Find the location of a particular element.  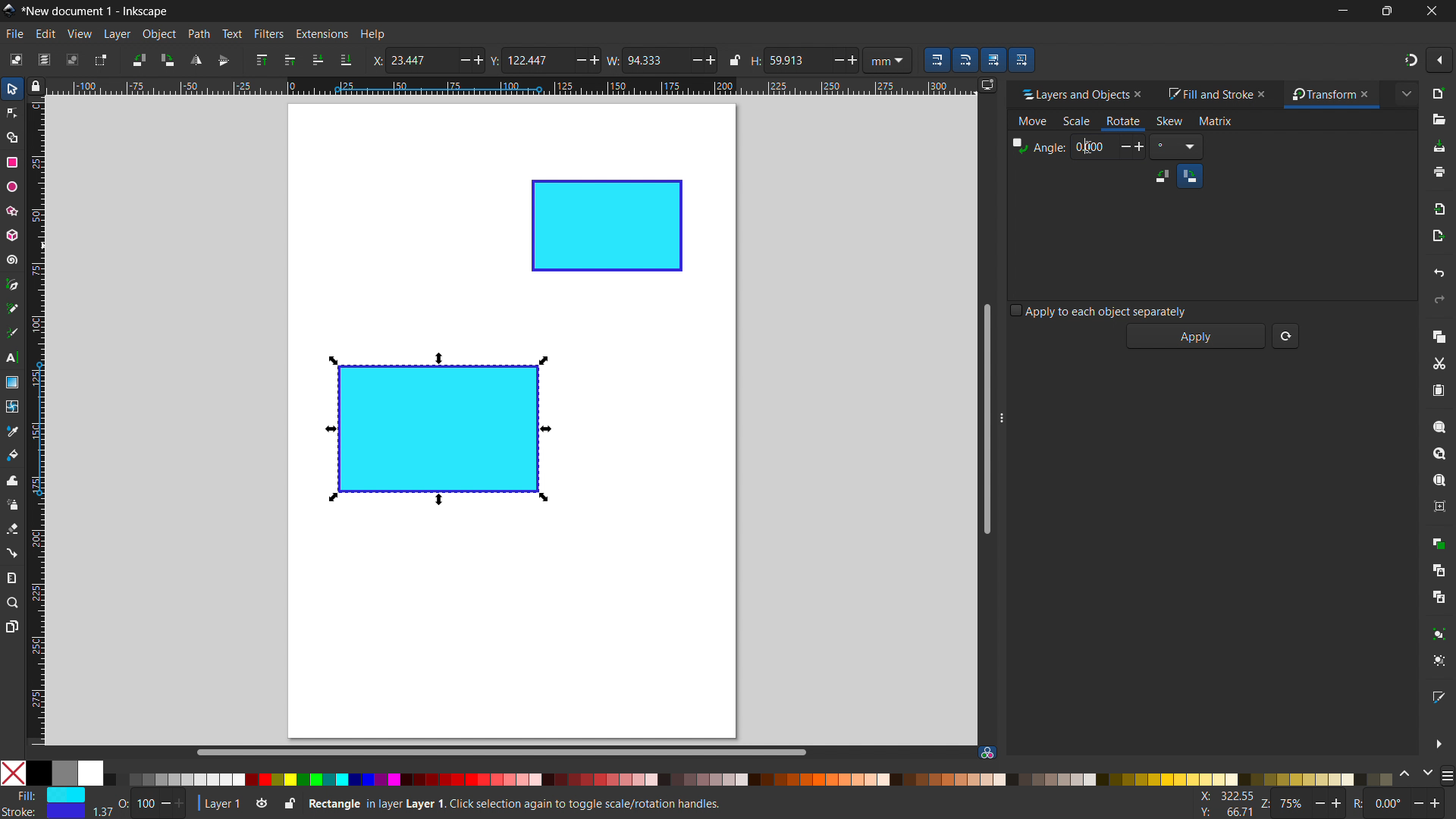

skew is located at coordinates (1169, 121).